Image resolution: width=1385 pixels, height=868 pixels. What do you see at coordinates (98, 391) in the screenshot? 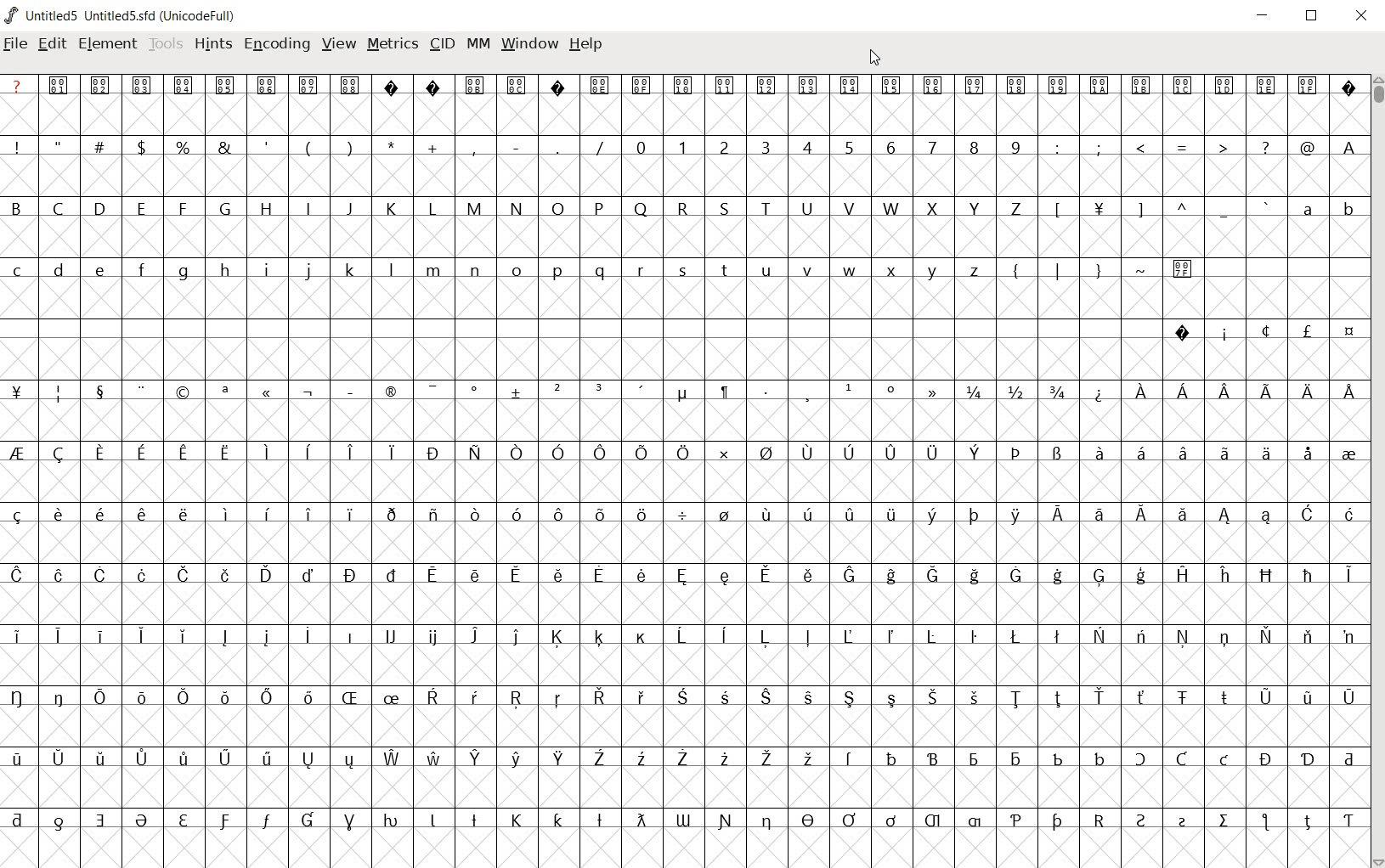
I see `Symbol` at bounding box center [98, 391].